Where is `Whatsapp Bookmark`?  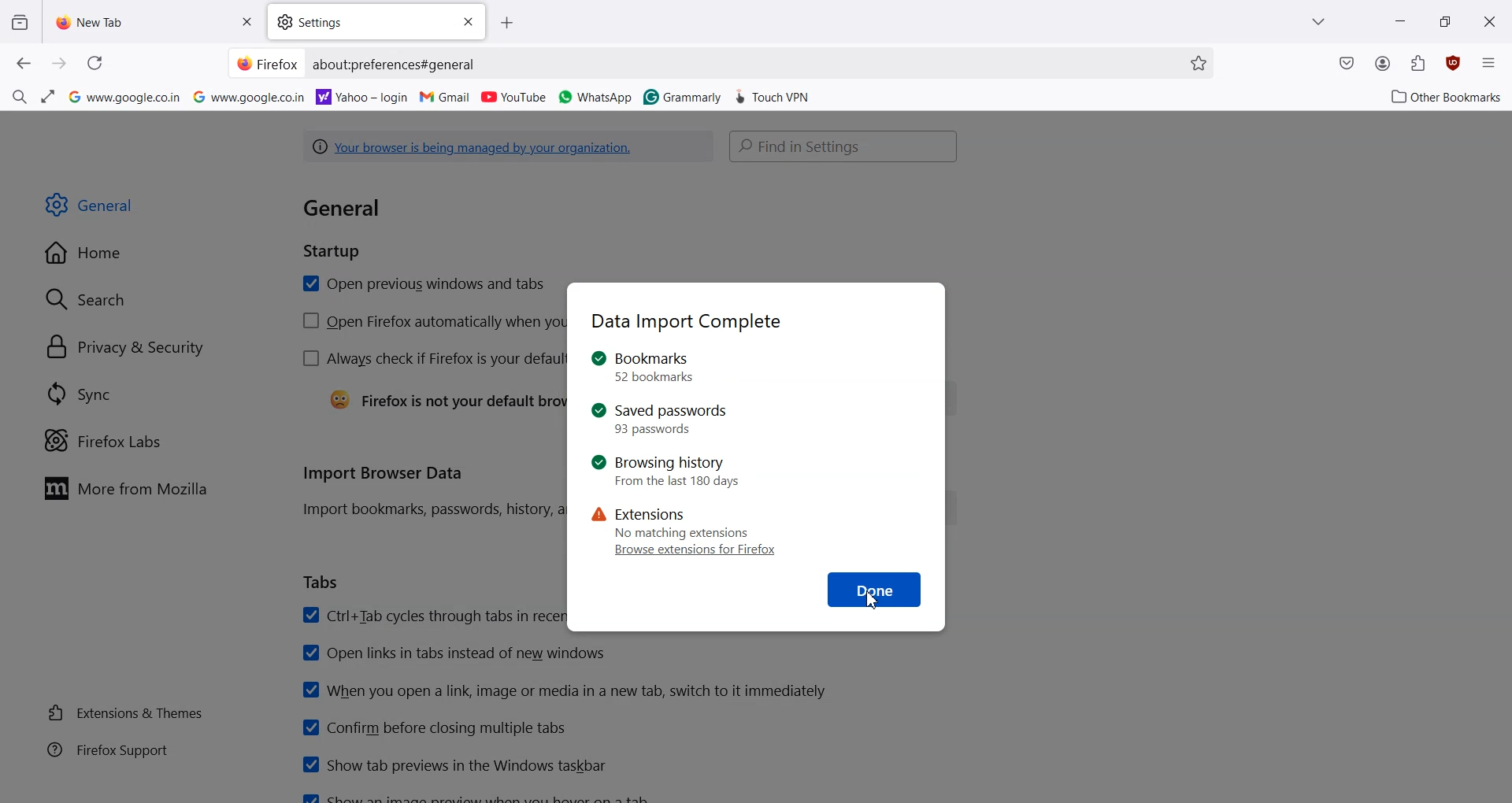 Whatsapp Bookmark is located at coordinates (596, 97).